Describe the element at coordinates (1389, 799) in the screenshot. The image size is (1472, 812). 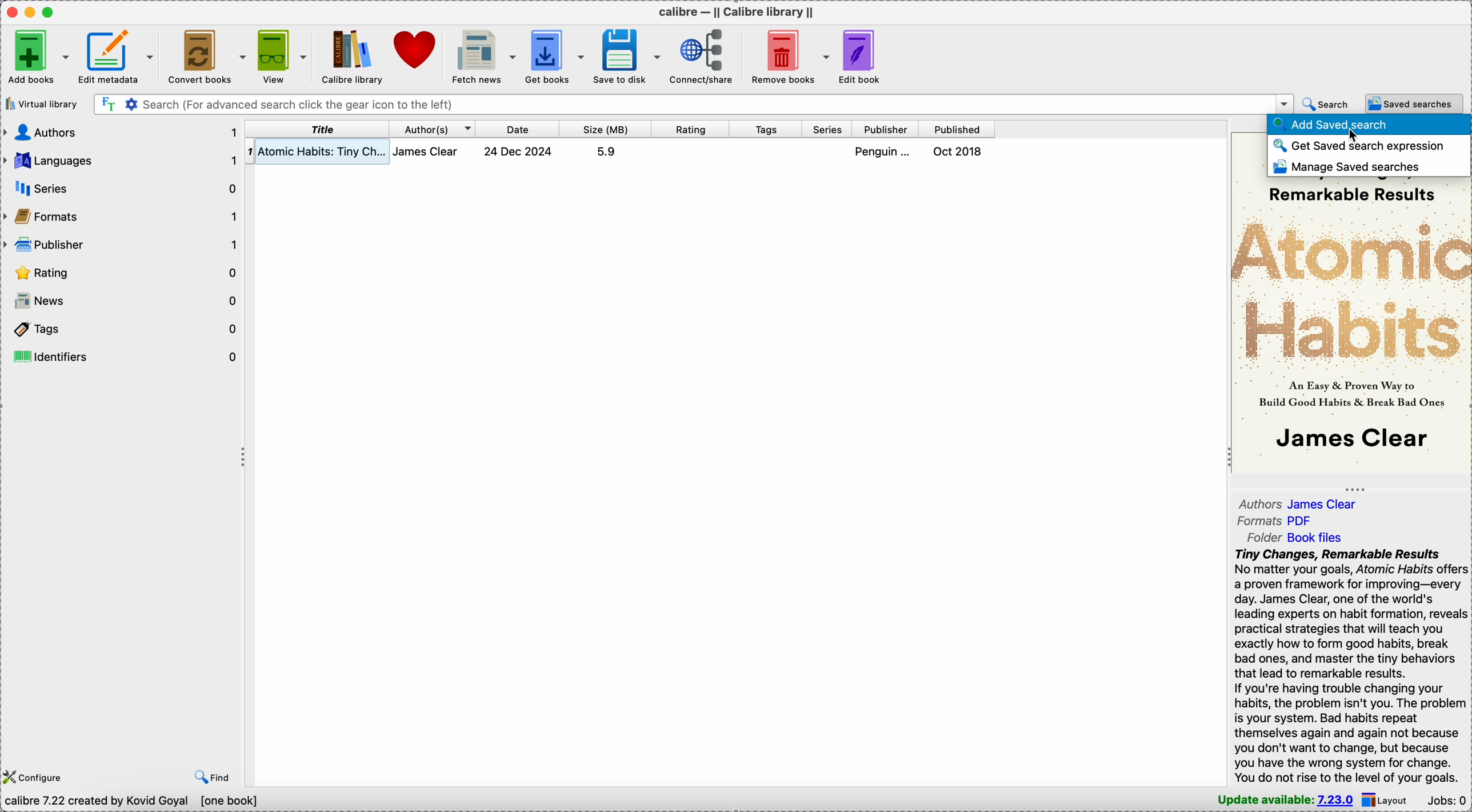
I see `layout` at that location.